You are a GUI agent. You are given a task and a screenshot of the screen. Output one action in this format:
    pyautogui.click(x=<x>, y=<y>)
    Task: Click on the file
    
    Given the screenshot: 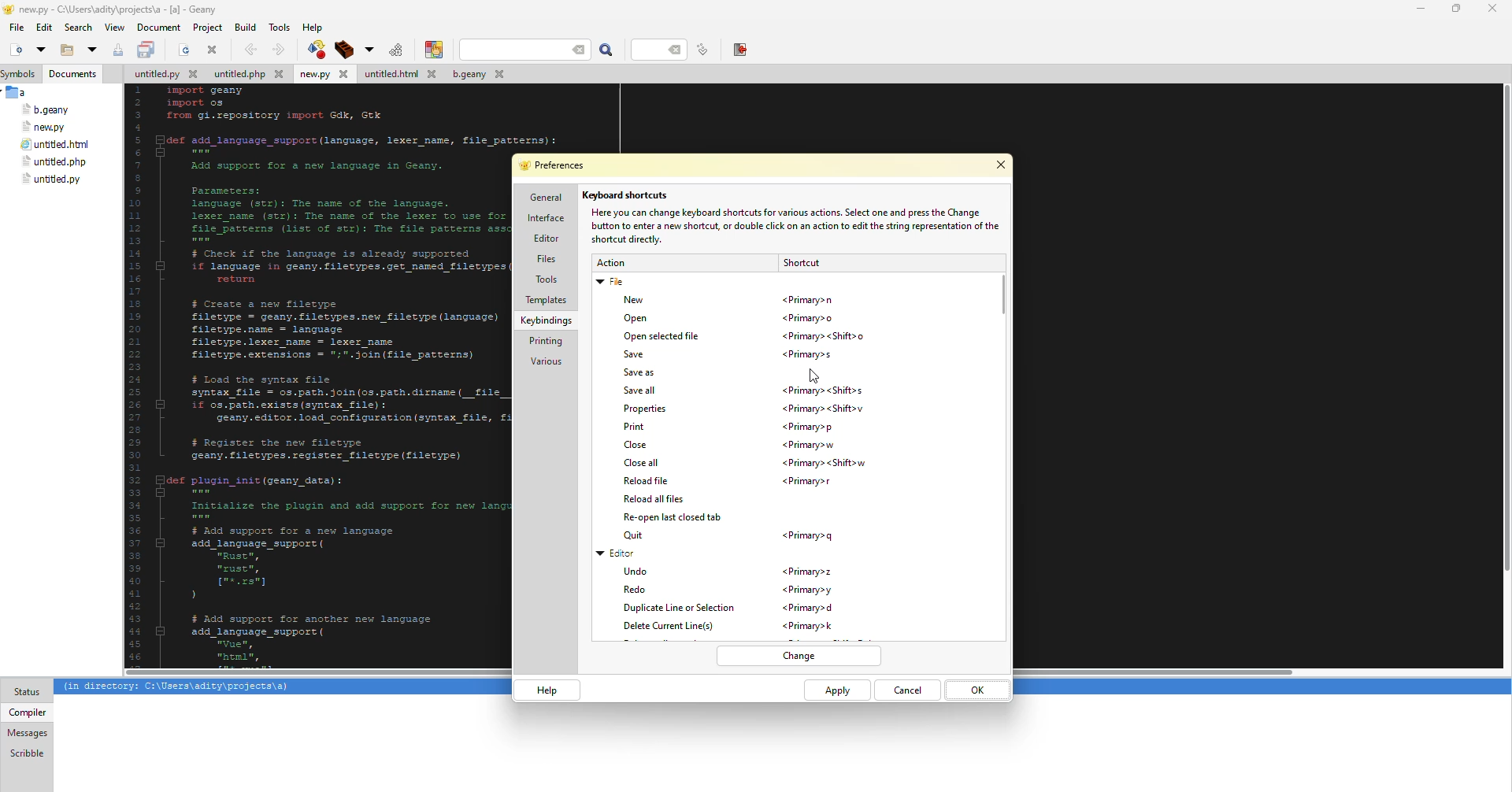 What is the action you would take?
    pyautogui.click(x=164, y=76)
    